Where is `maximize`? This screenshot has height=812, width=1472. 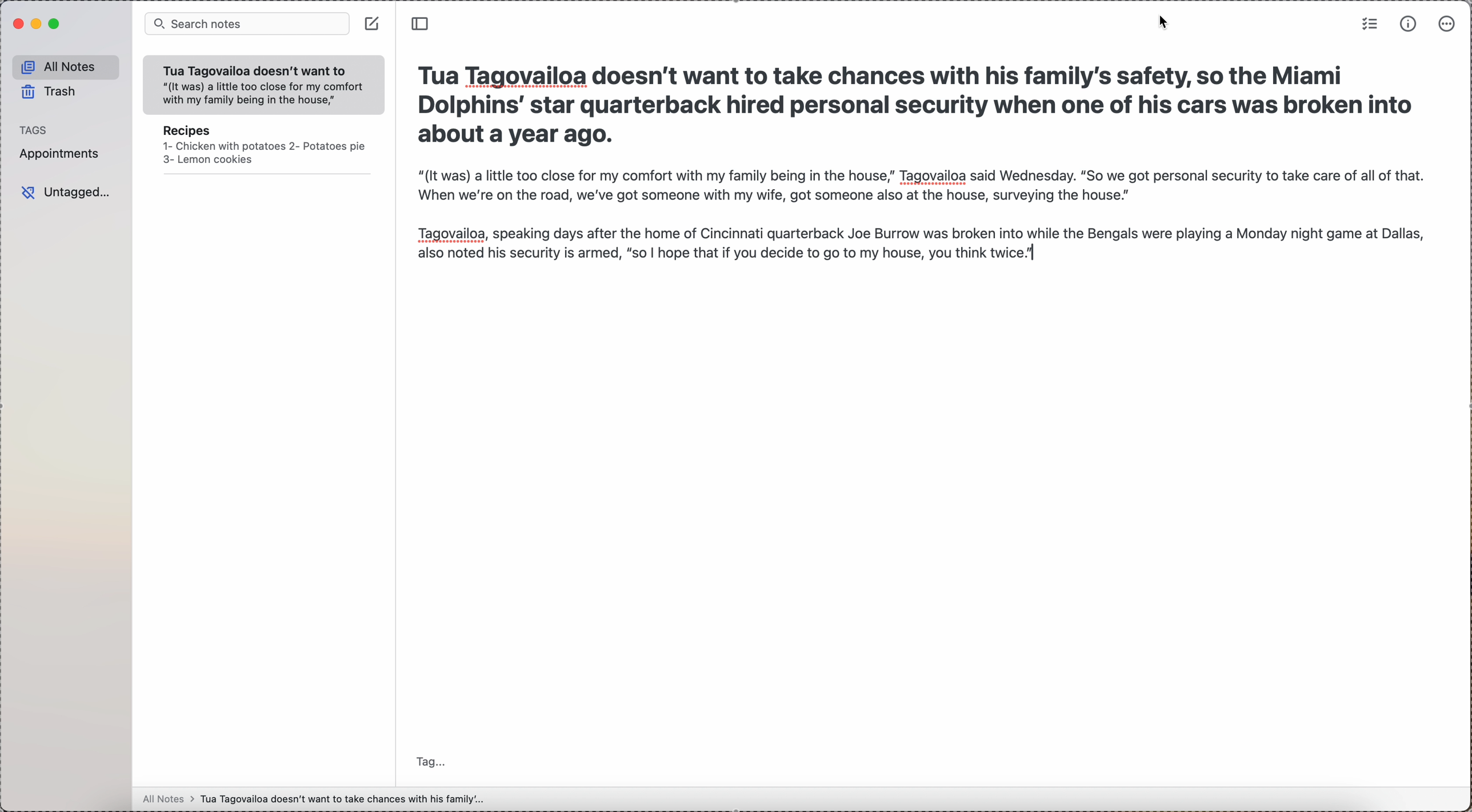
maximize is located at coordinates (55, 25).